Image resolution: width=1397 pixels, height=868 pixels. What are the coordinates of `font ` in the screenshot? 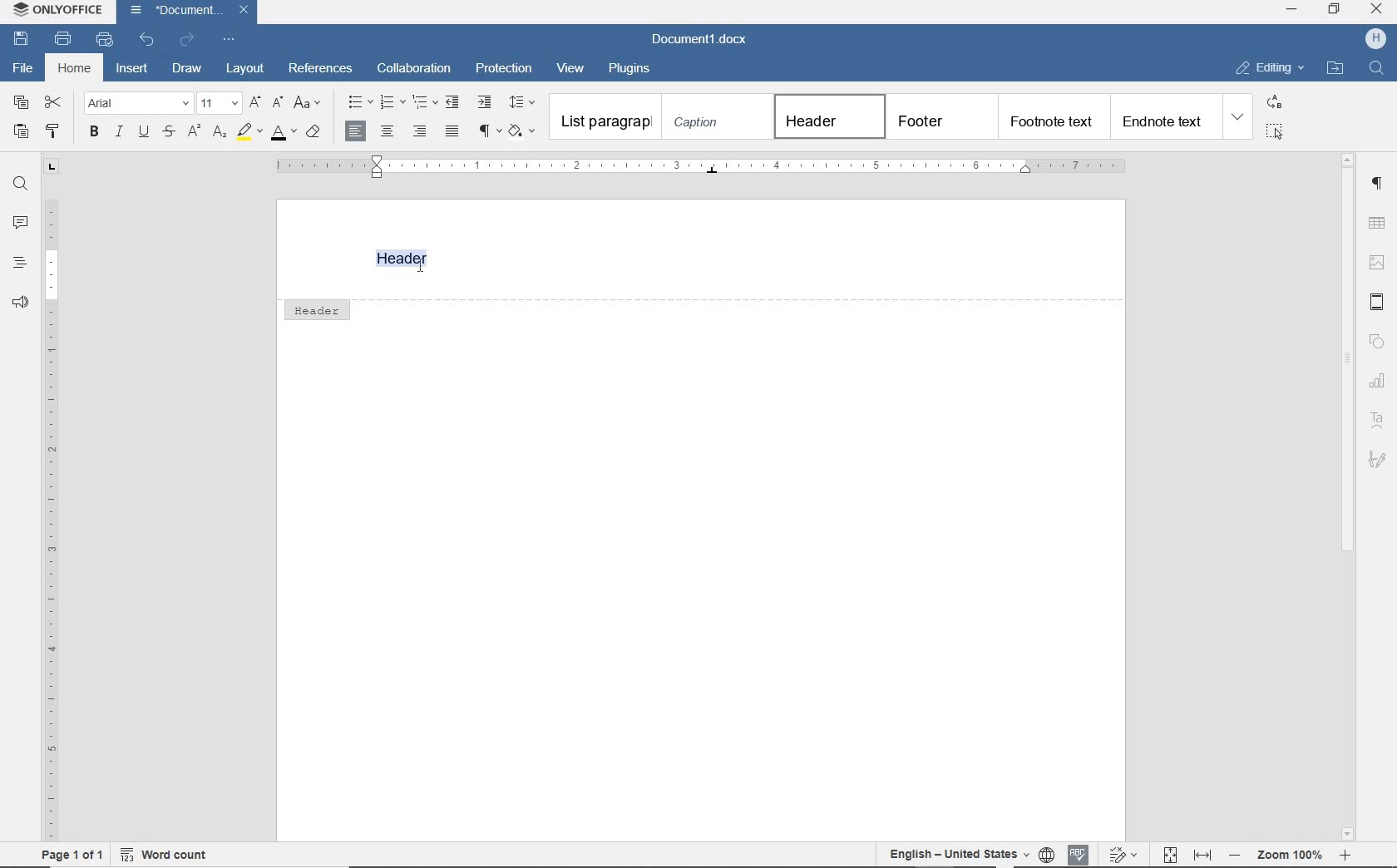 It's located at (138, 104).